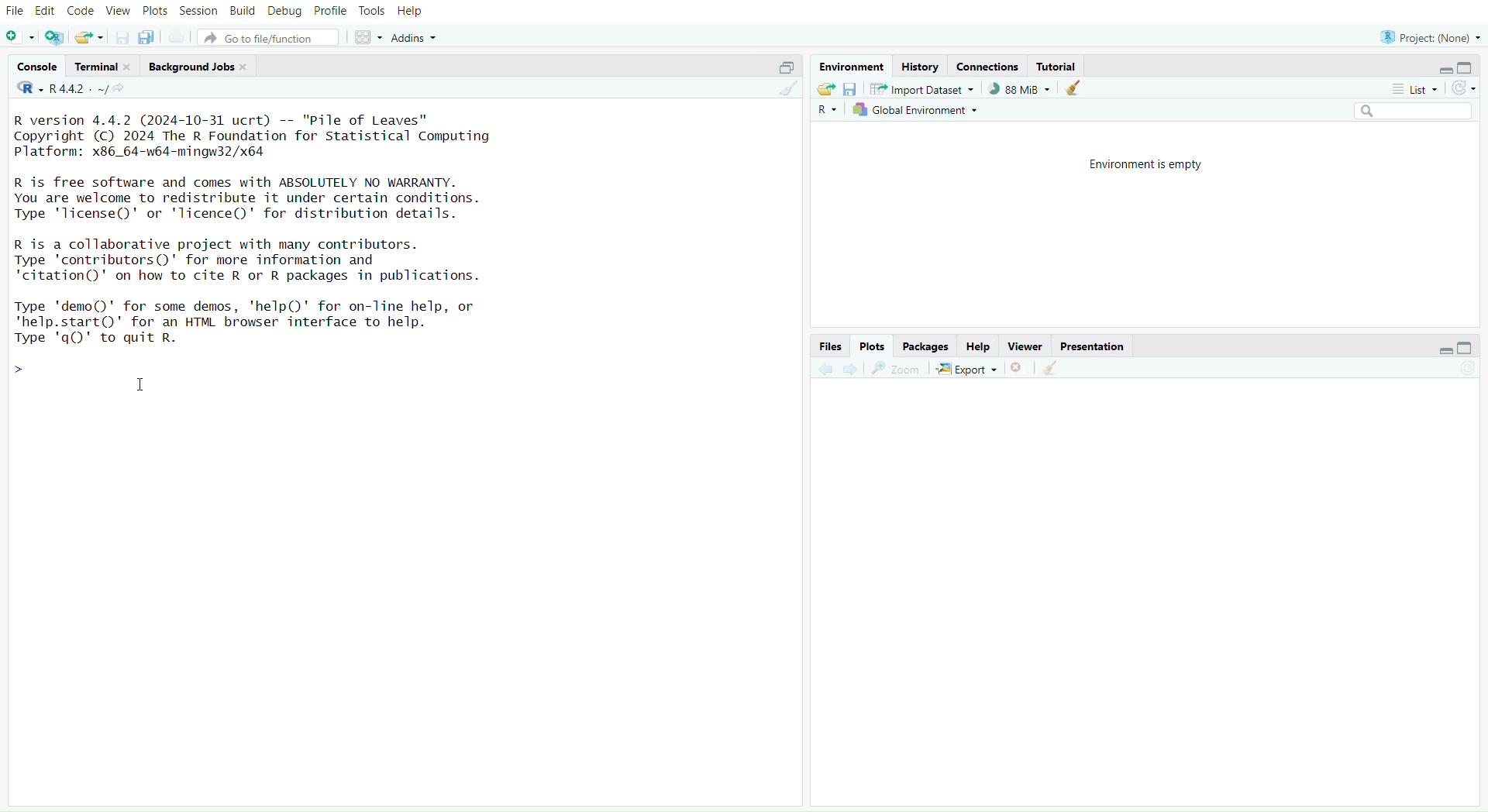 The image size is (1488, 812). I want to click on presentation, so click(1094, 347).